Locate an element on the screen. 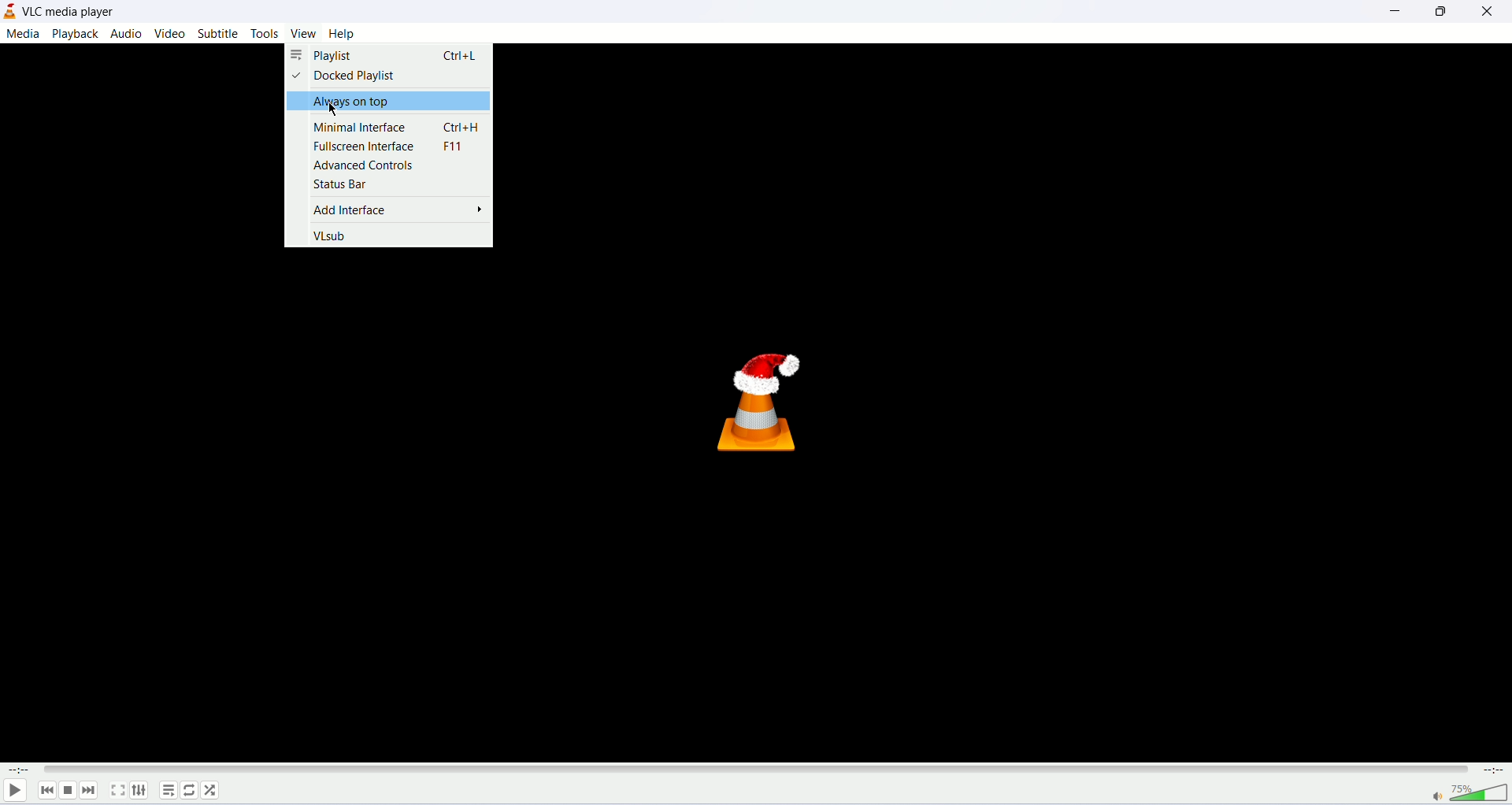  playback is located at coordinates (76, 33).